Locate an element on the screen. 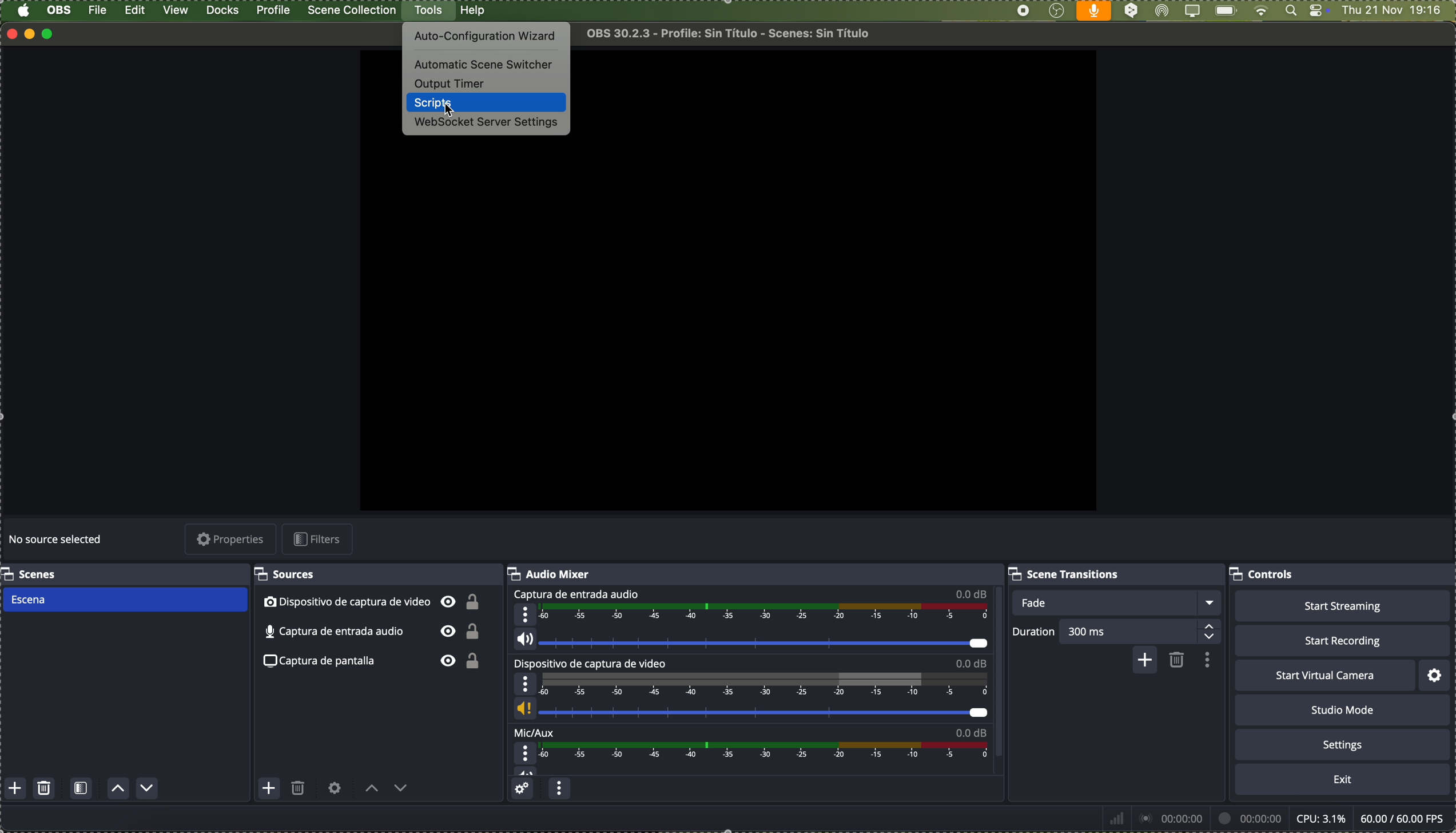 The height and width of the screenshot is (833, 1456). stop recording is located at coordinates (1023, 11).